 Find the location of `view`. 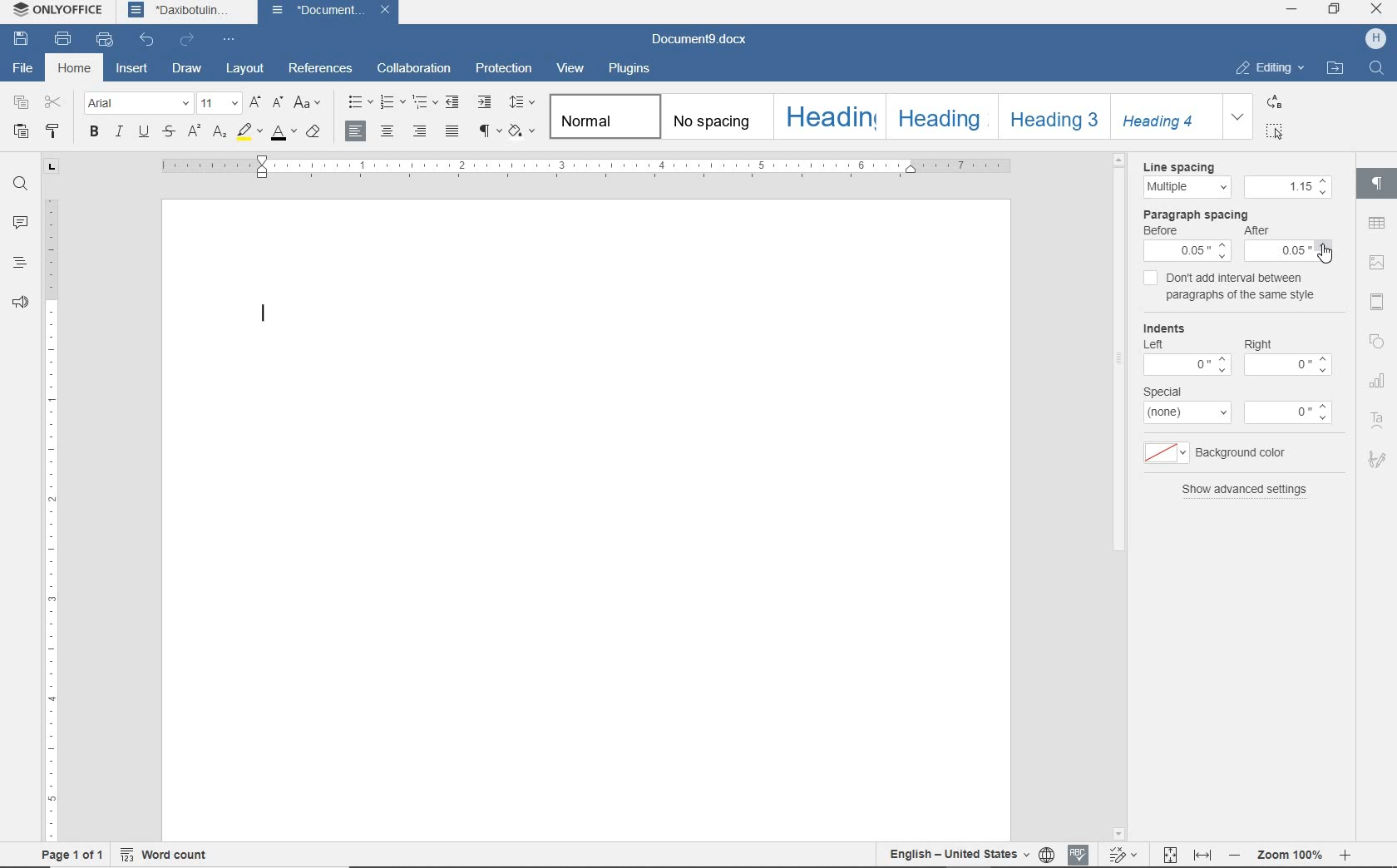

view is located at coordinates (570, 69).